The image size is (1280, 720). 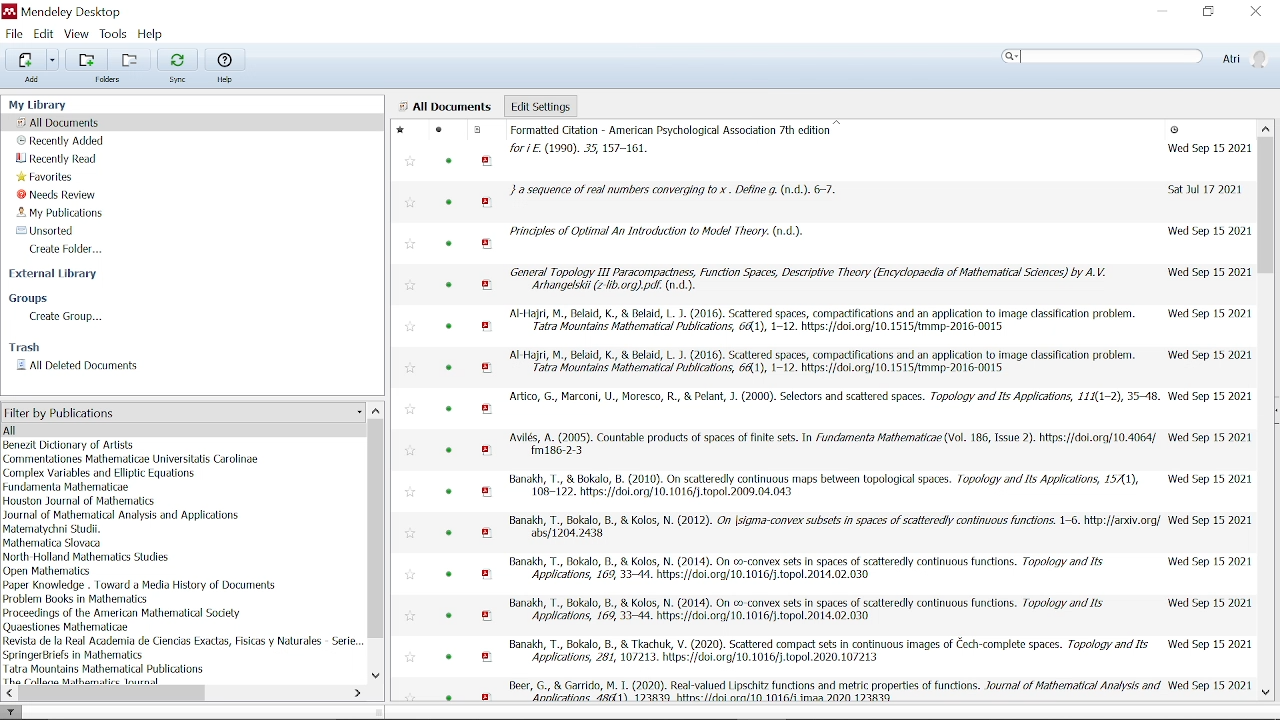 I want to click on Move up in filter by publication, so click(x=376, y=410).